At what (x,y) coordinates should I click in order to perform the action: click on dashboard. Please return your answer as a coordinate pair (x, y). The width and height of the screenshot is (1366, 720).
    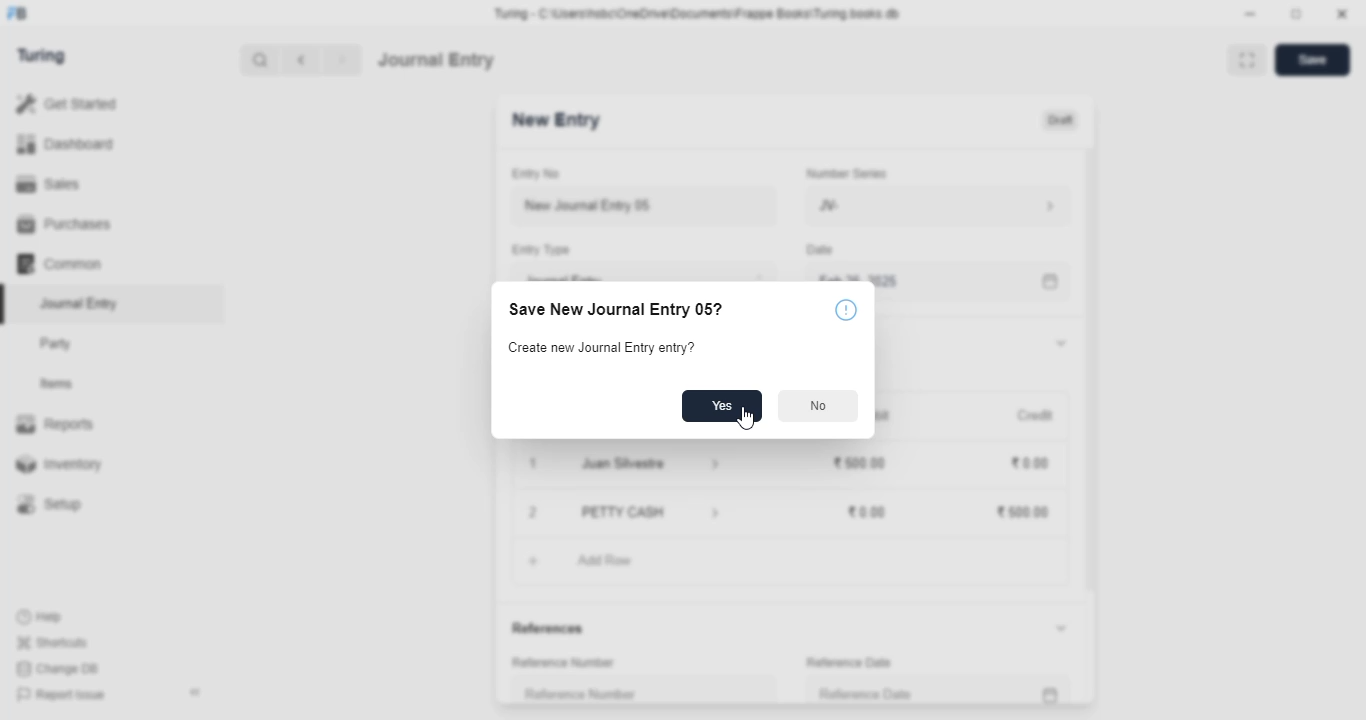
    Looking at the image, I should click on (66, 143).